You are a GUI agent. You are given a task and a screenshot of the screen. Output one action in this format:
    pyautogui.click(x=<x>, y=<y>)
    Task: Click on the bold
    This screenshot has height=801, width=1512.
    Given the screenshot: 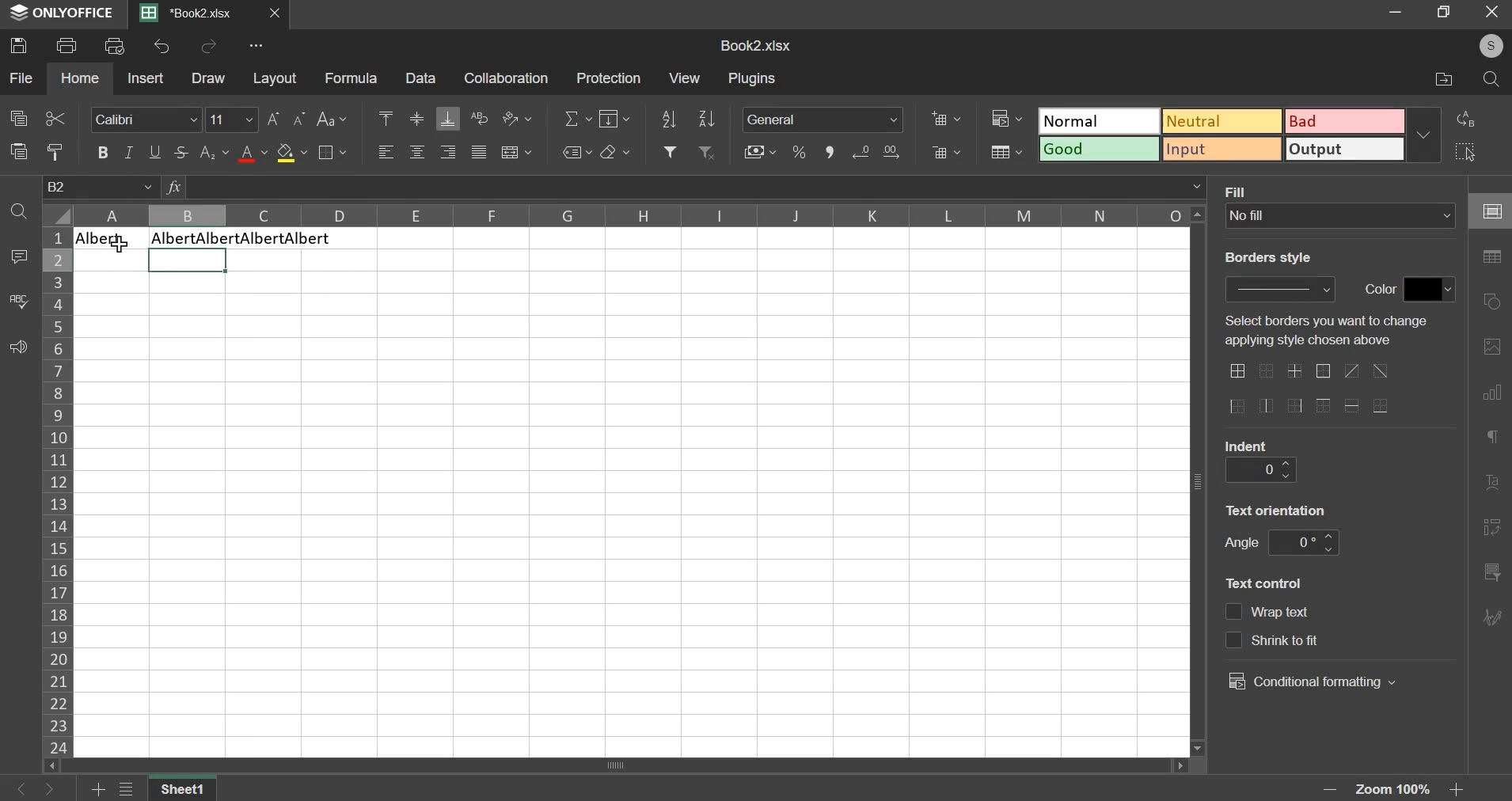 What is the action you would take?
    pyautogui.click(x=102, y=152)
    